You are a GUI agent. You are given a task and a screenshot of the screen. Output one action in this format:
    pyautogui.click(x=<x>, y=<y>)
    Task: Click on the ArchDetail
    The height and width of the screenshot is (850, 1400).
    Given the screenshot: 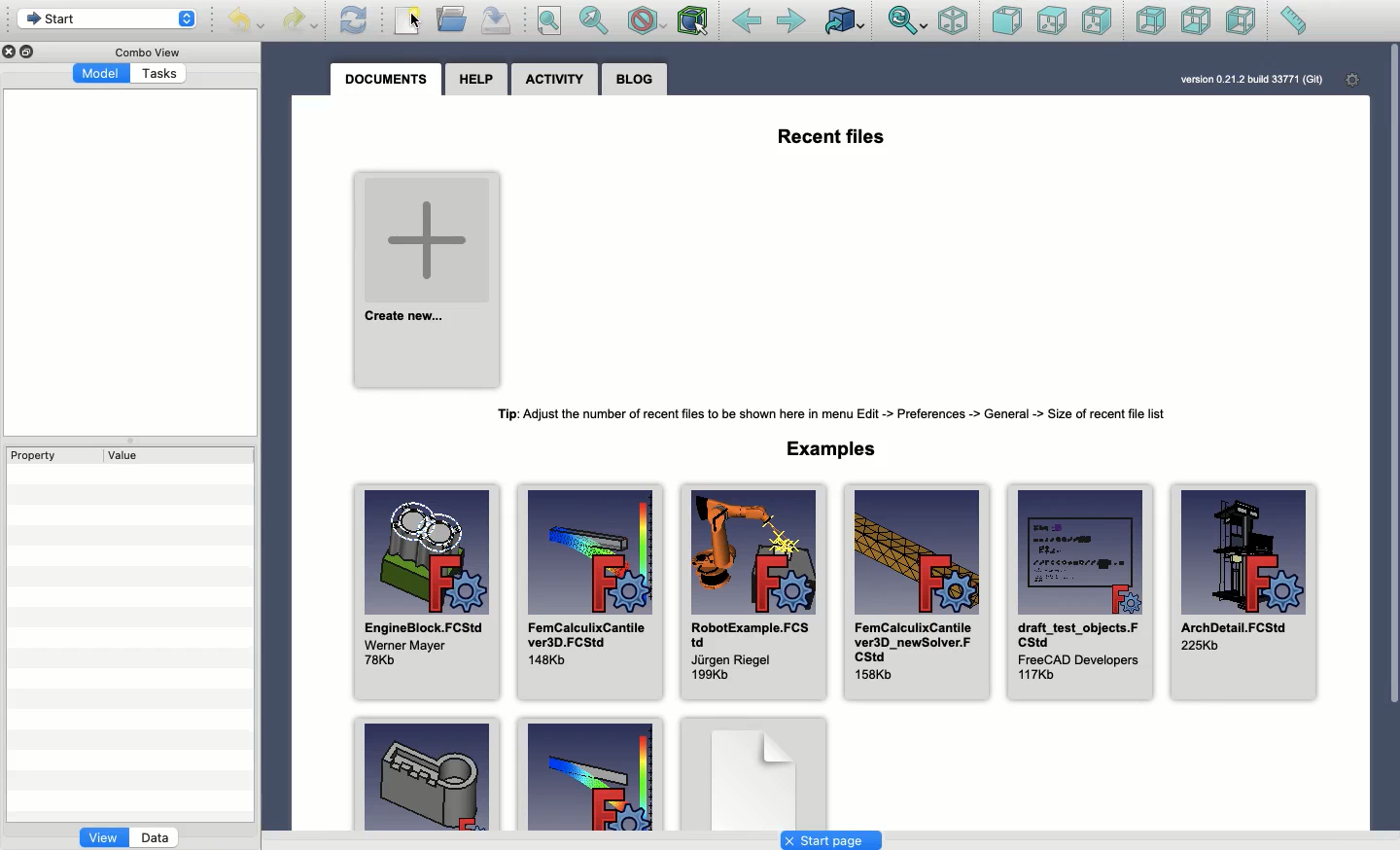 What is the action you would take?
    pyautogui.click(x=1242, y=594)
    